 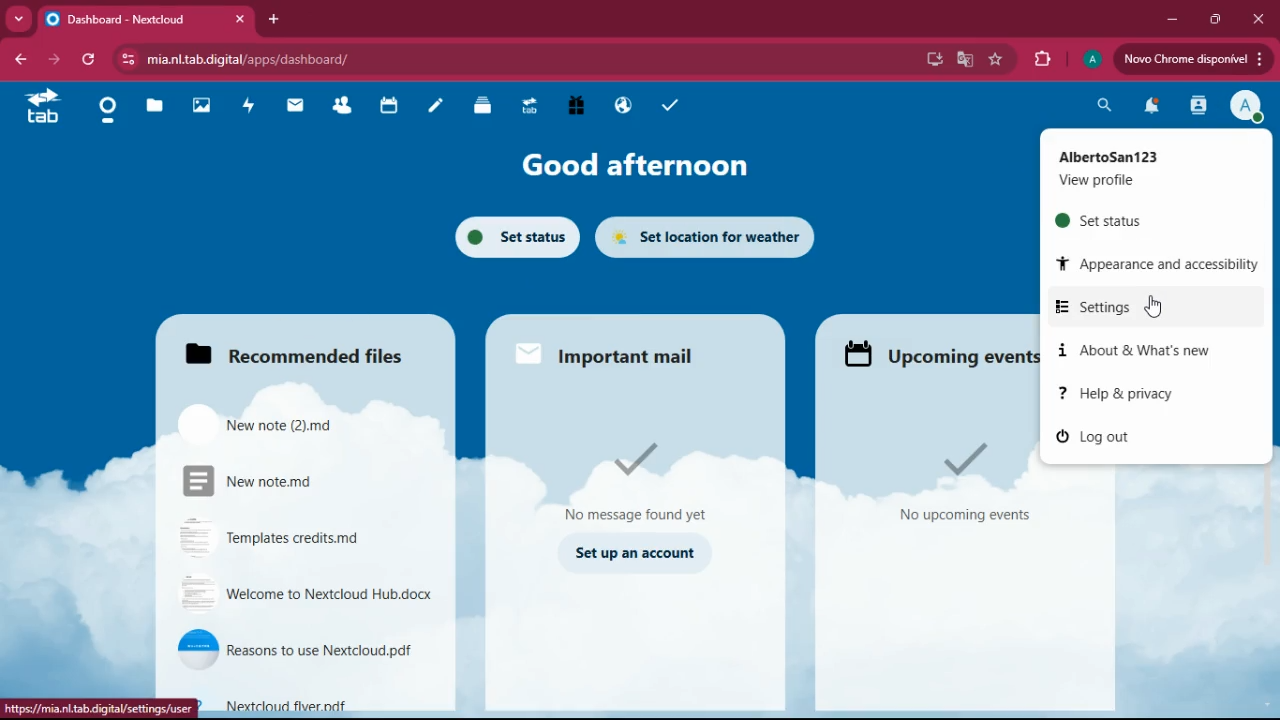 I want to click on friends, so click(x=346, y=107).